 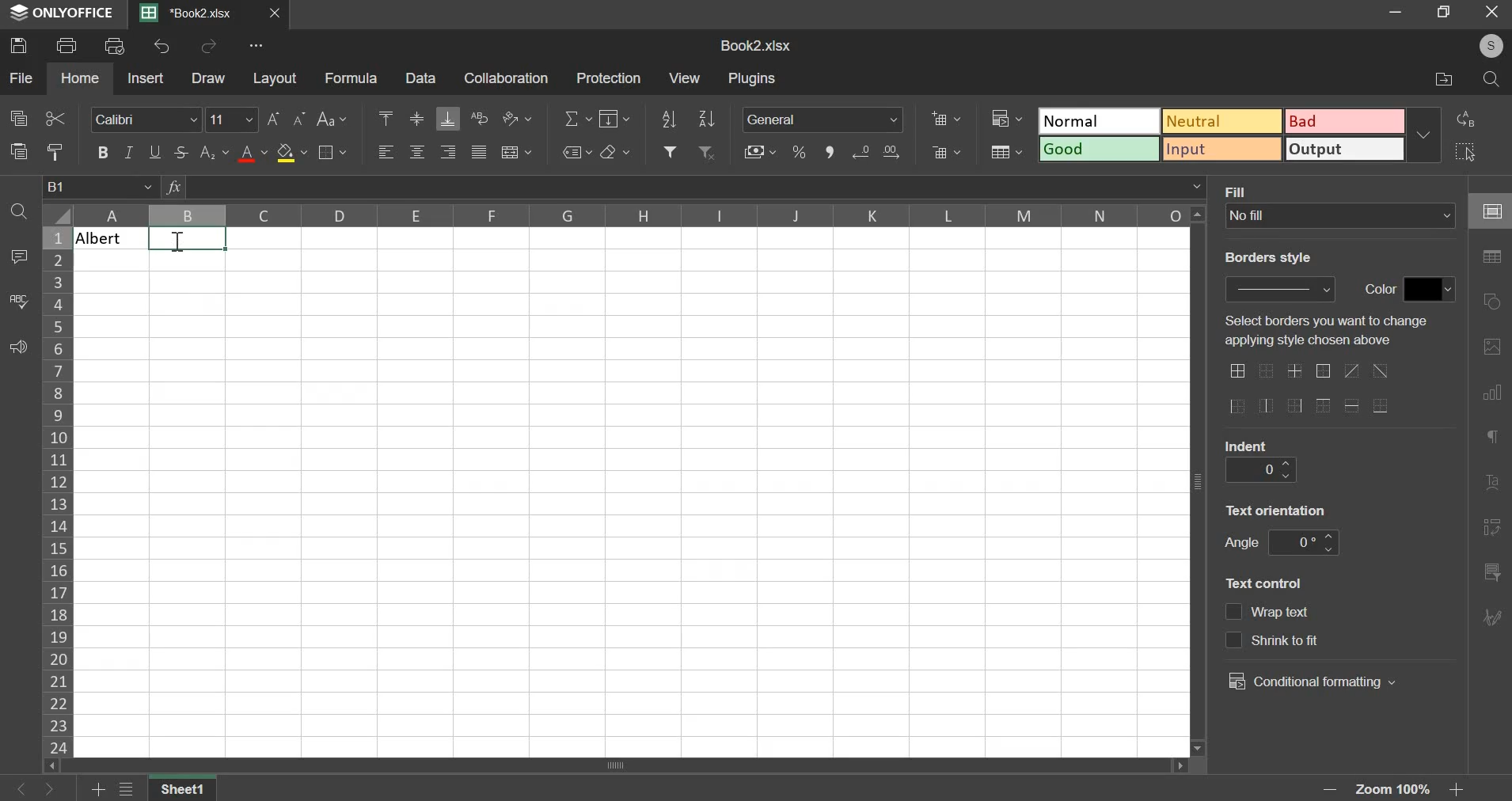 What do you see at coordinates (96, 789) in the screenshot?
I see `add sheets` at bounding box center [96, 789].